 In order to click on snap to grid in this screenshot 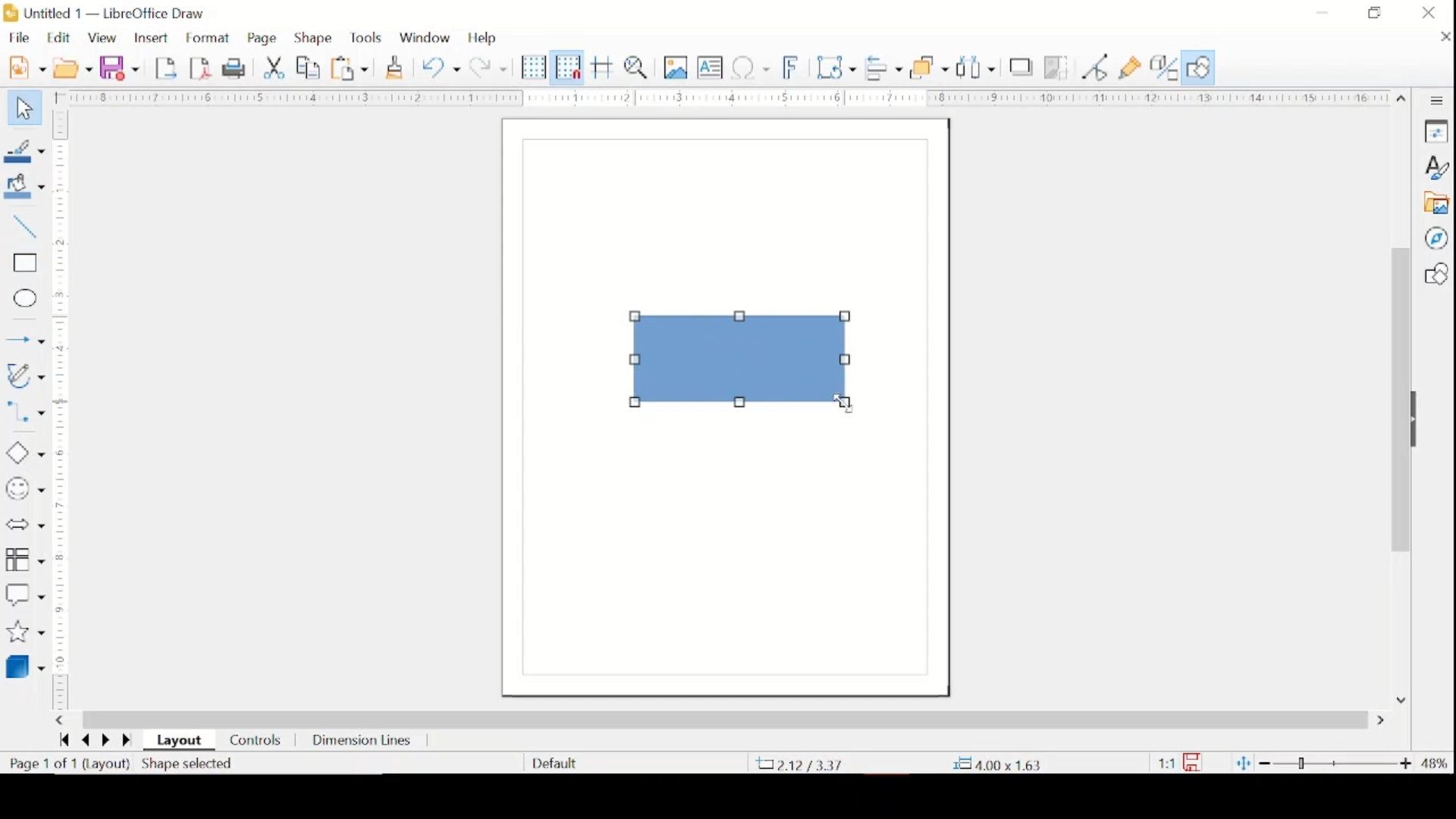, I will do `click(568, 67)`.